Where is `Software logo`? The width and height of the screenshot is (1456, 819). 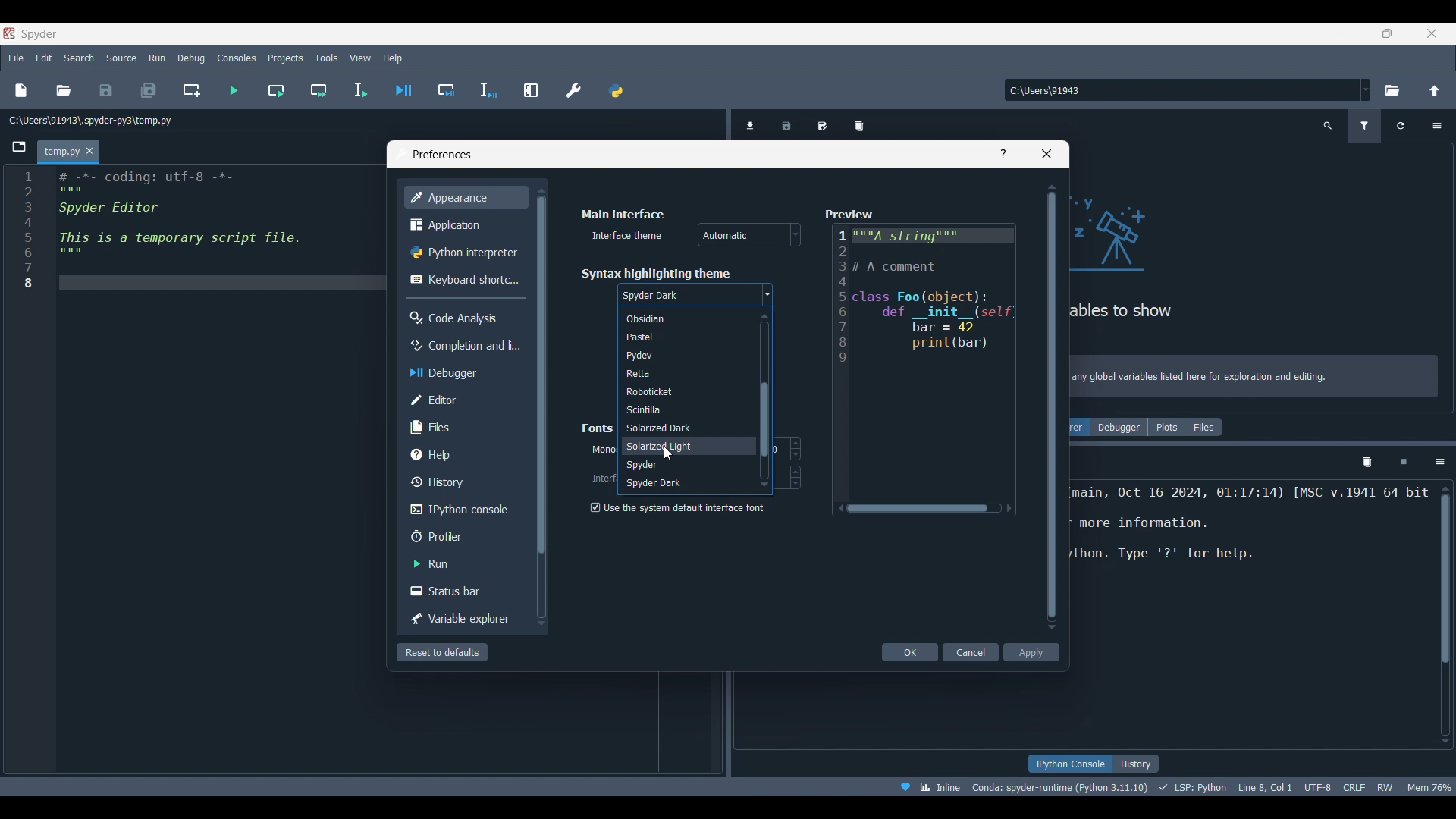
Software logo is located at coordinates (9, 33).